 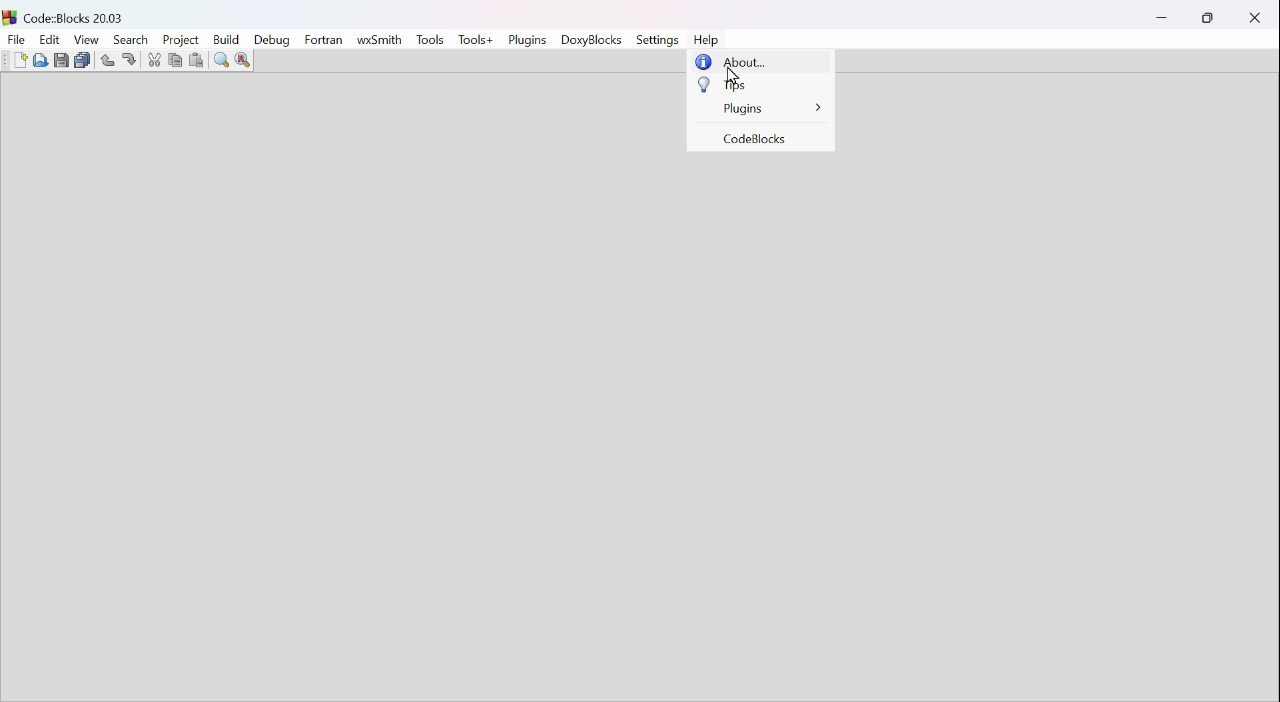 I want to click on Court blocks, so click(x=754, y=140).